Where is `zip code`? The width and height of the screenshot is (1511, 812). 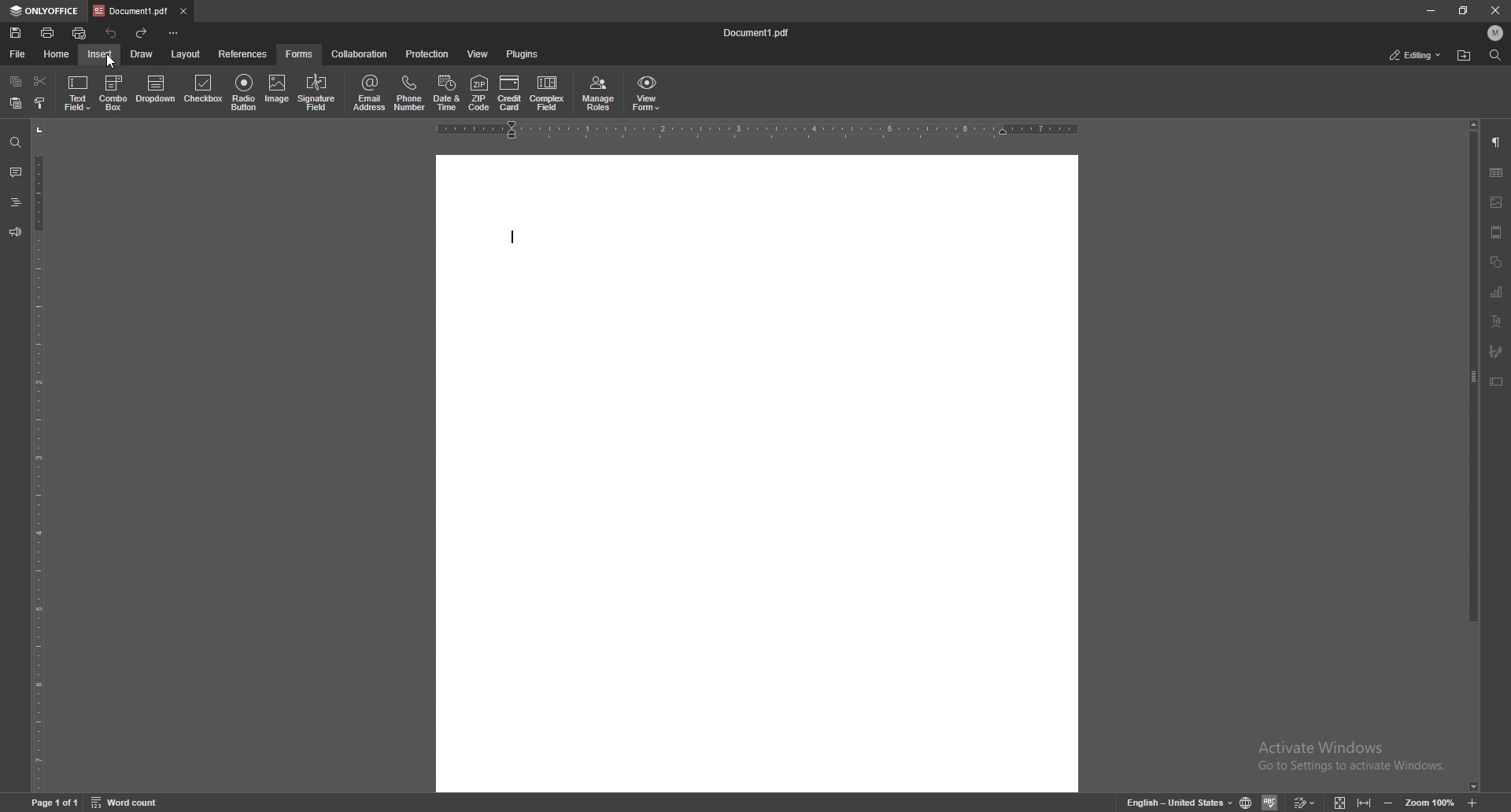 zip code is located at coordinates (479, 93).